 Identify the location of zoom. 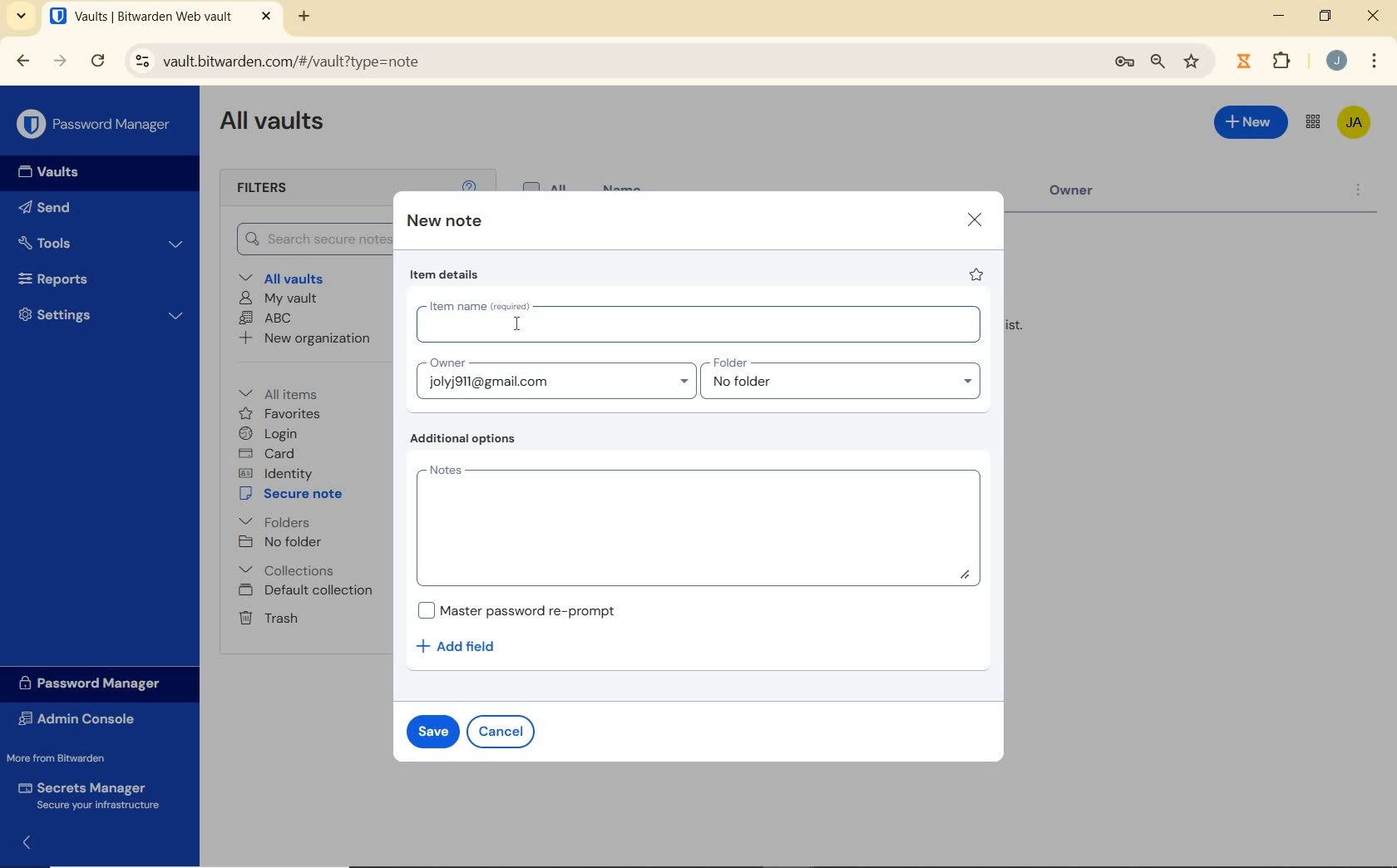
(1158, 63).